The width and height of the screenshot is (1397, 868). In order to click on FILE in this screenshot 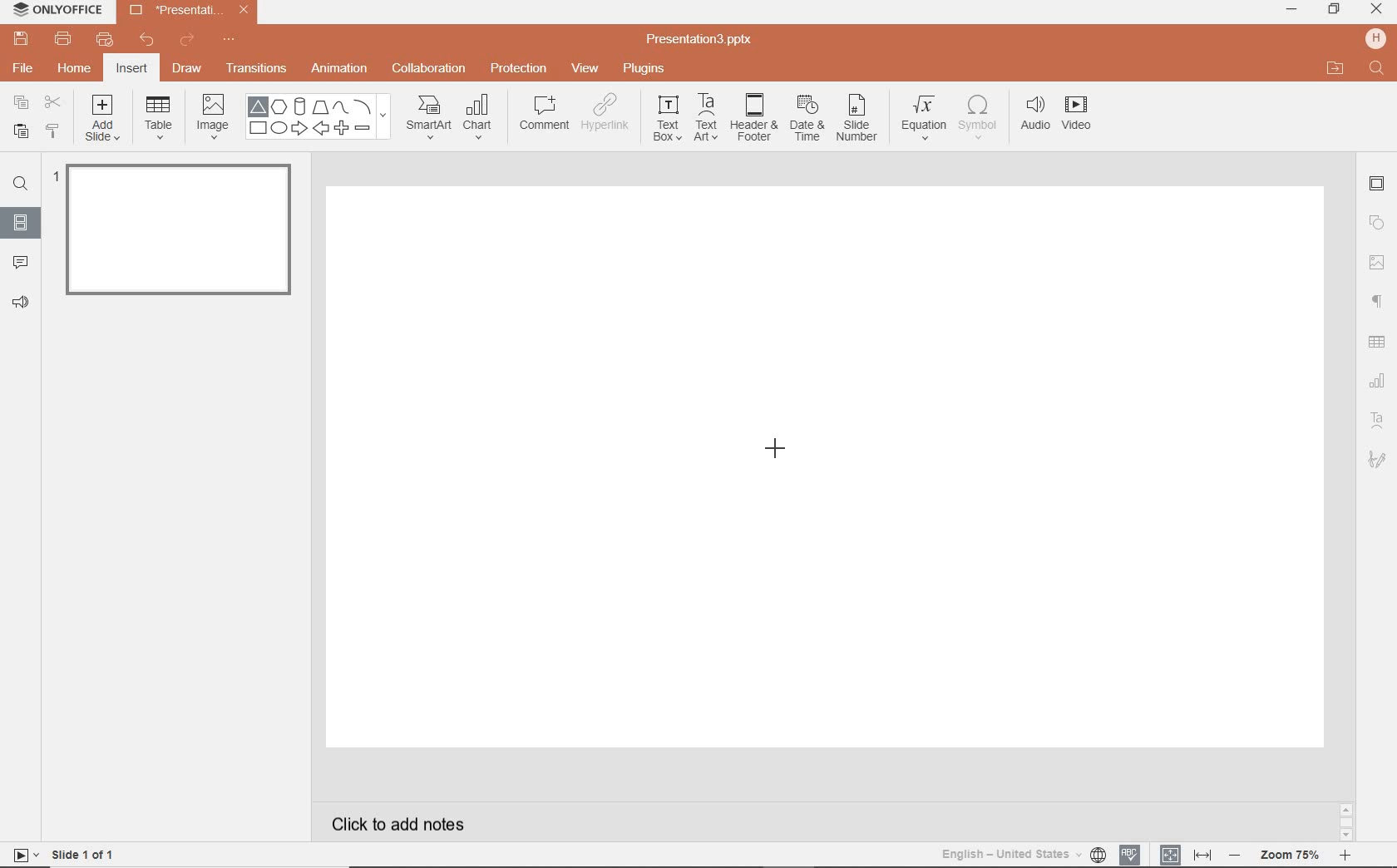, I will do `click(25, 66)`.